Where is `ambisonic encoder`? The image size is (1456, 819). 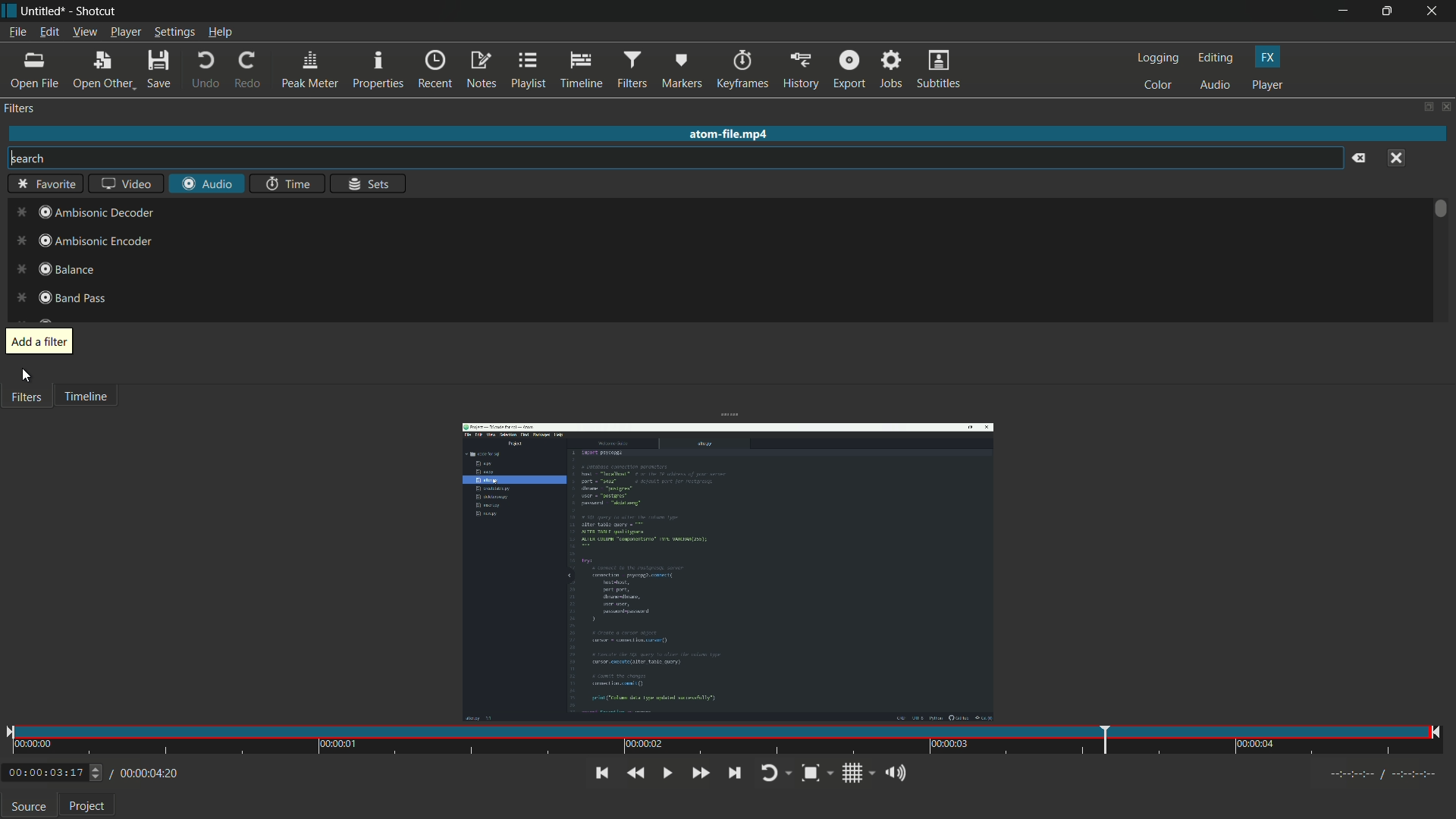
ambisonic encoder is located at coordinates (83, 242).